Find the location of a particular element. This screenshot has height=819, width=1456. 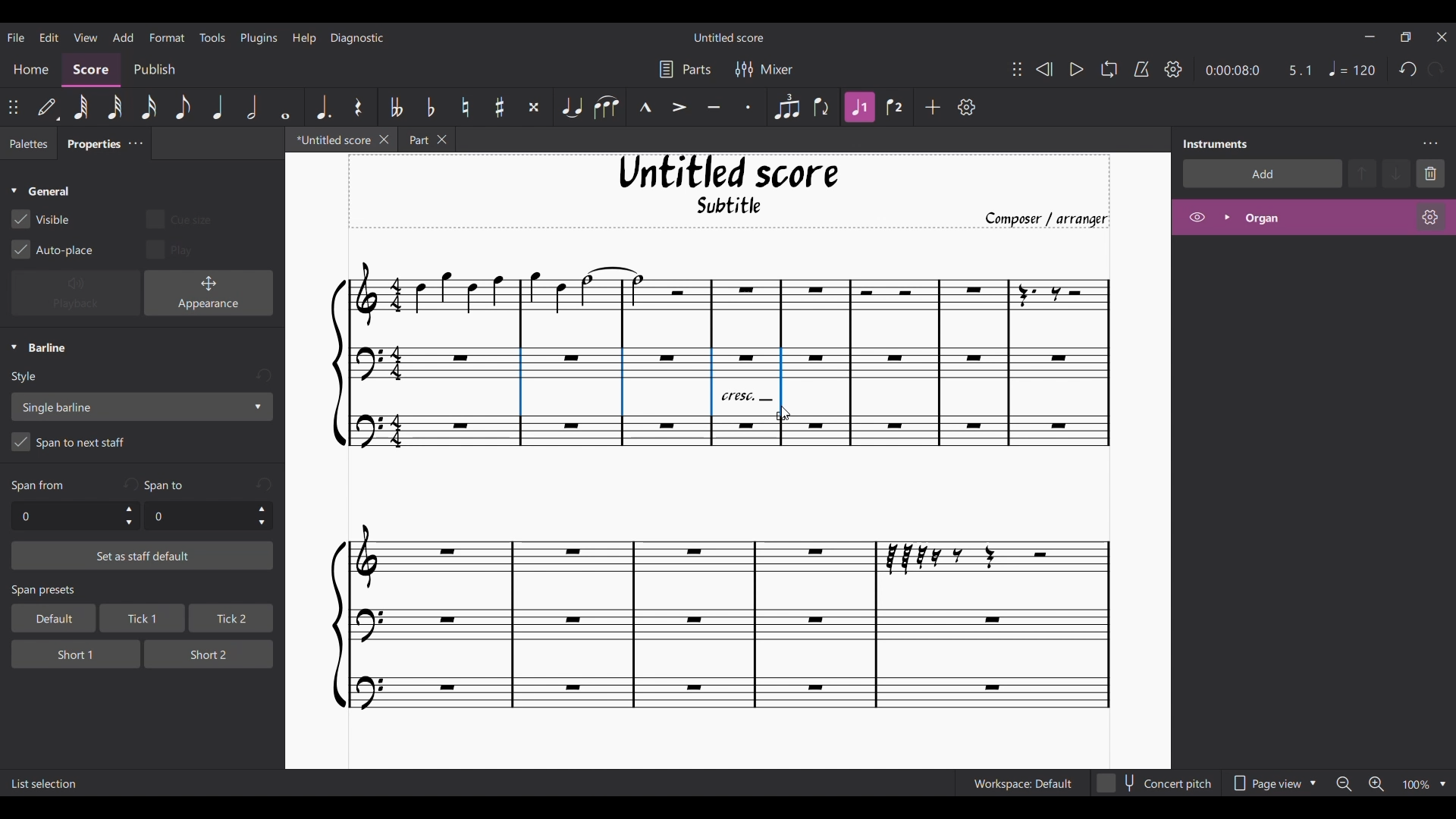

Toggle flat is located at coordinates (430, 107).